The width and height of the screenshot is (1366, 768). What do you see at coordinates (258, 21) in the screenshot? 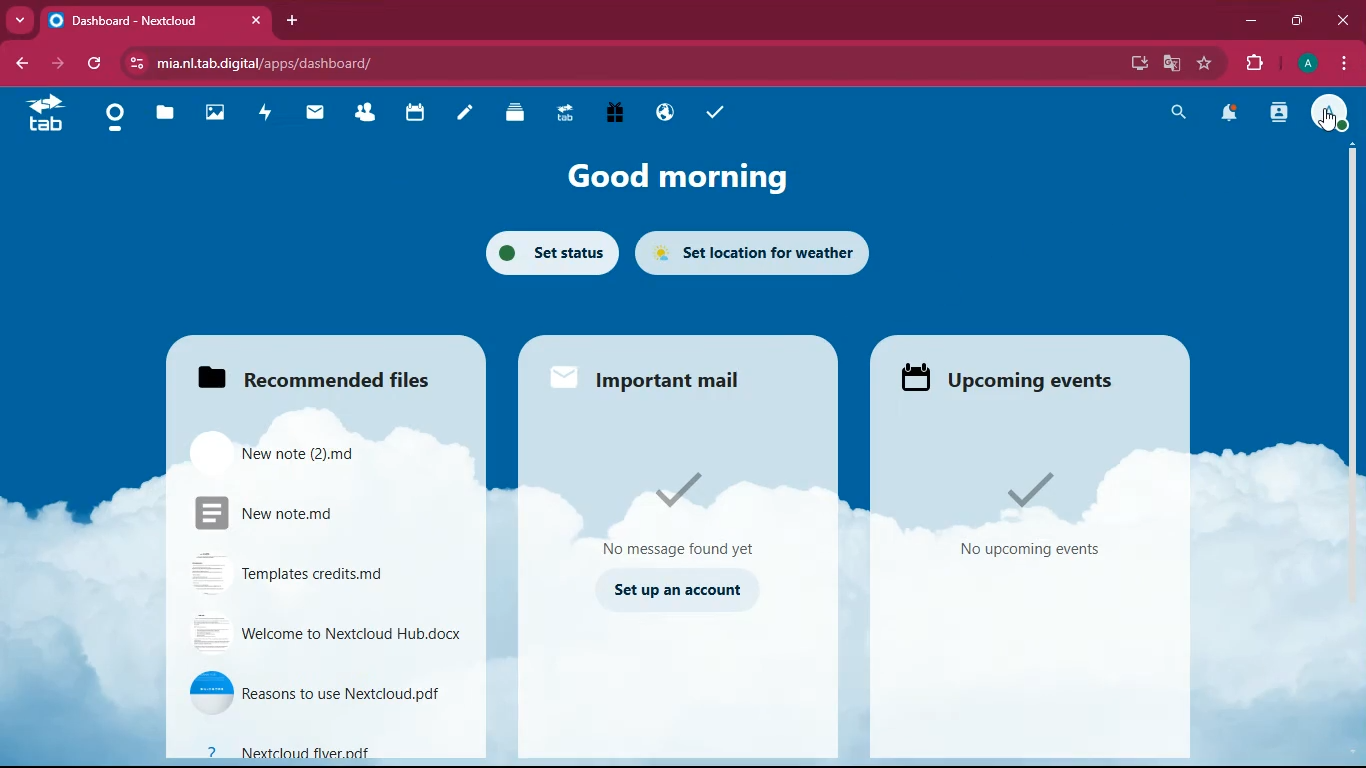
I see `close` at bounding box center [258, 21].